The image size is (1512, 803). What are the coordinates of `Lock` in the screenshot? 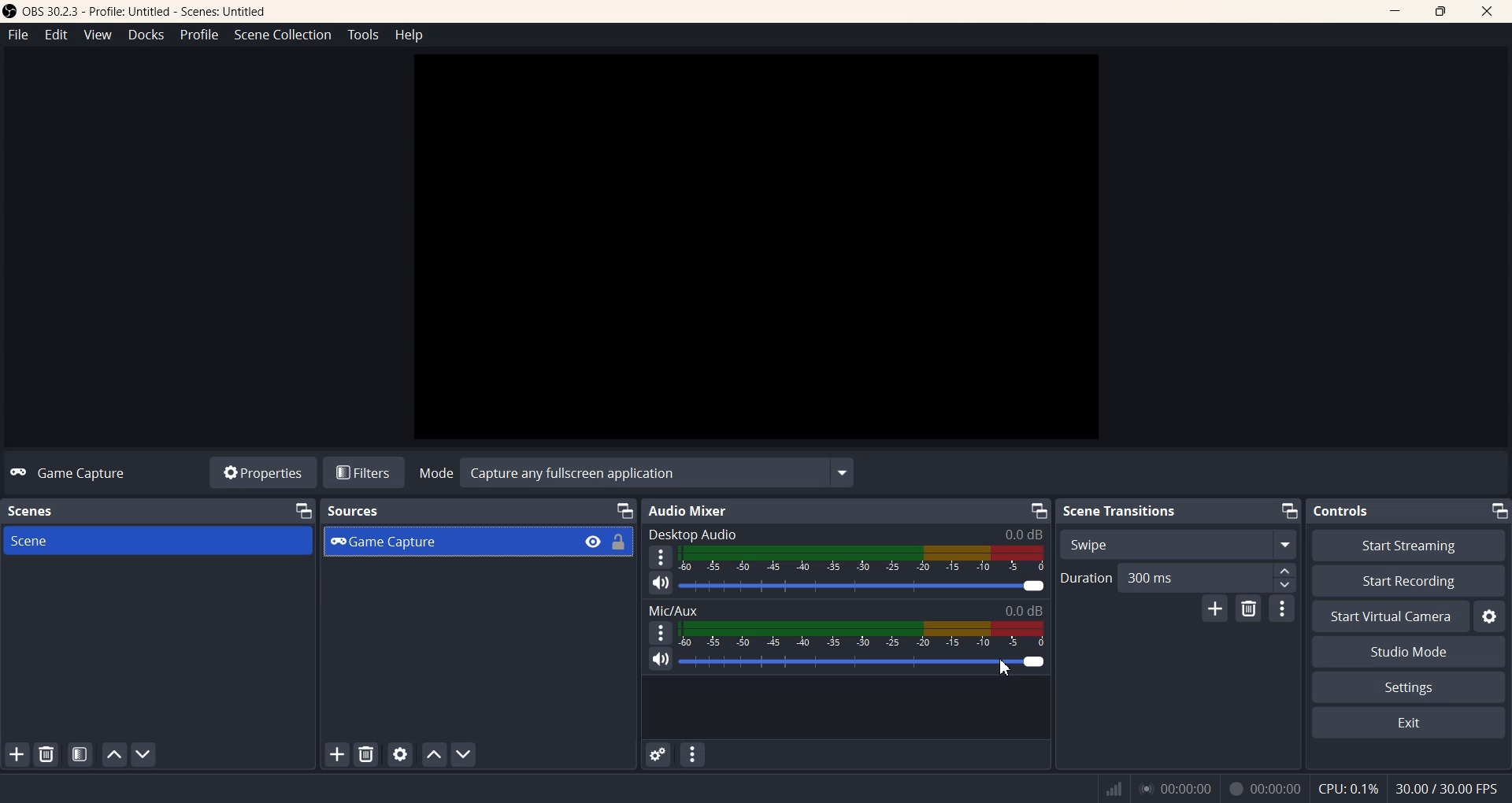 It's located at (620, 542).